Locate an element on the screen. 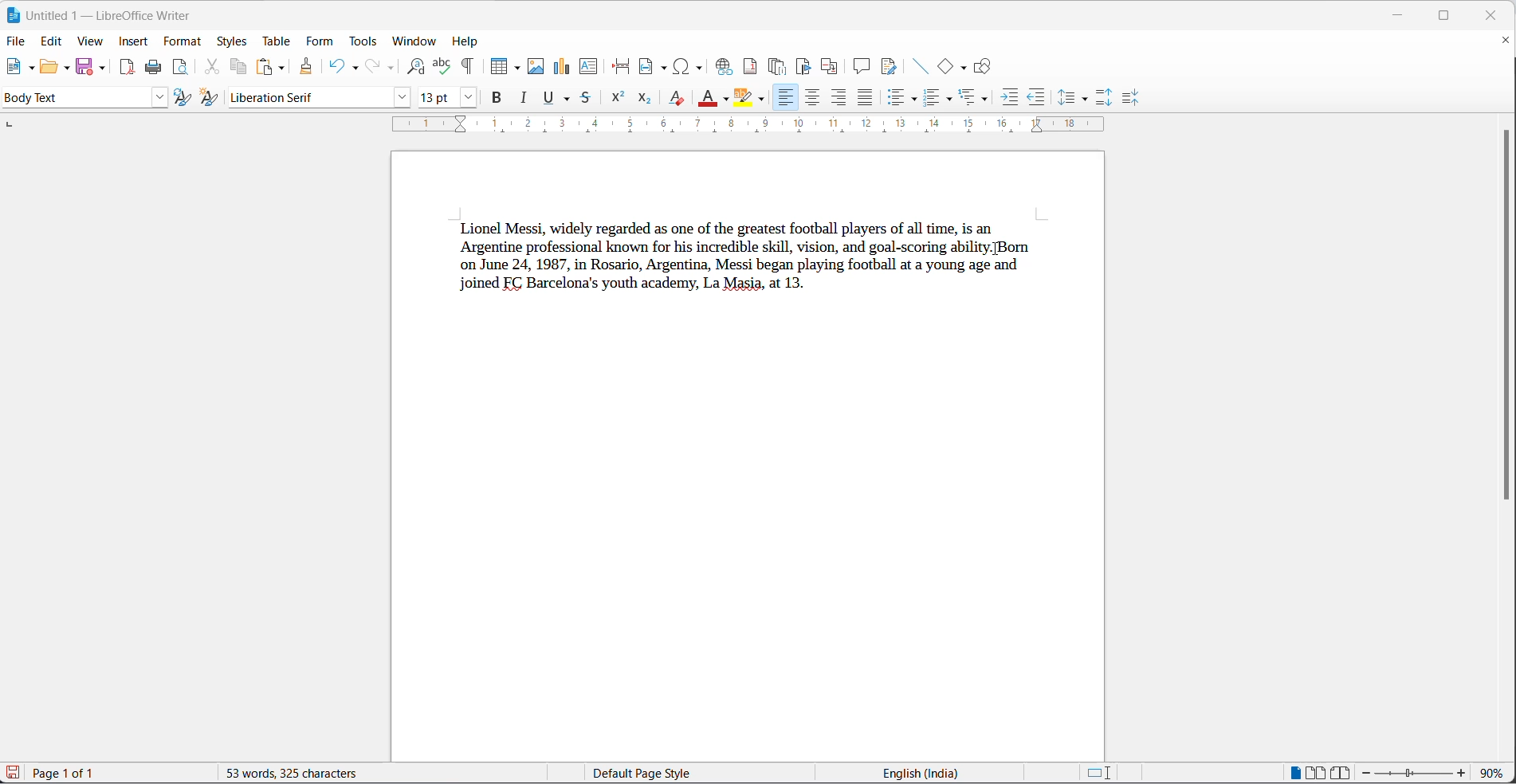 This screenshot has width=1516, height=784. page style is located at coordinates (679, 774).